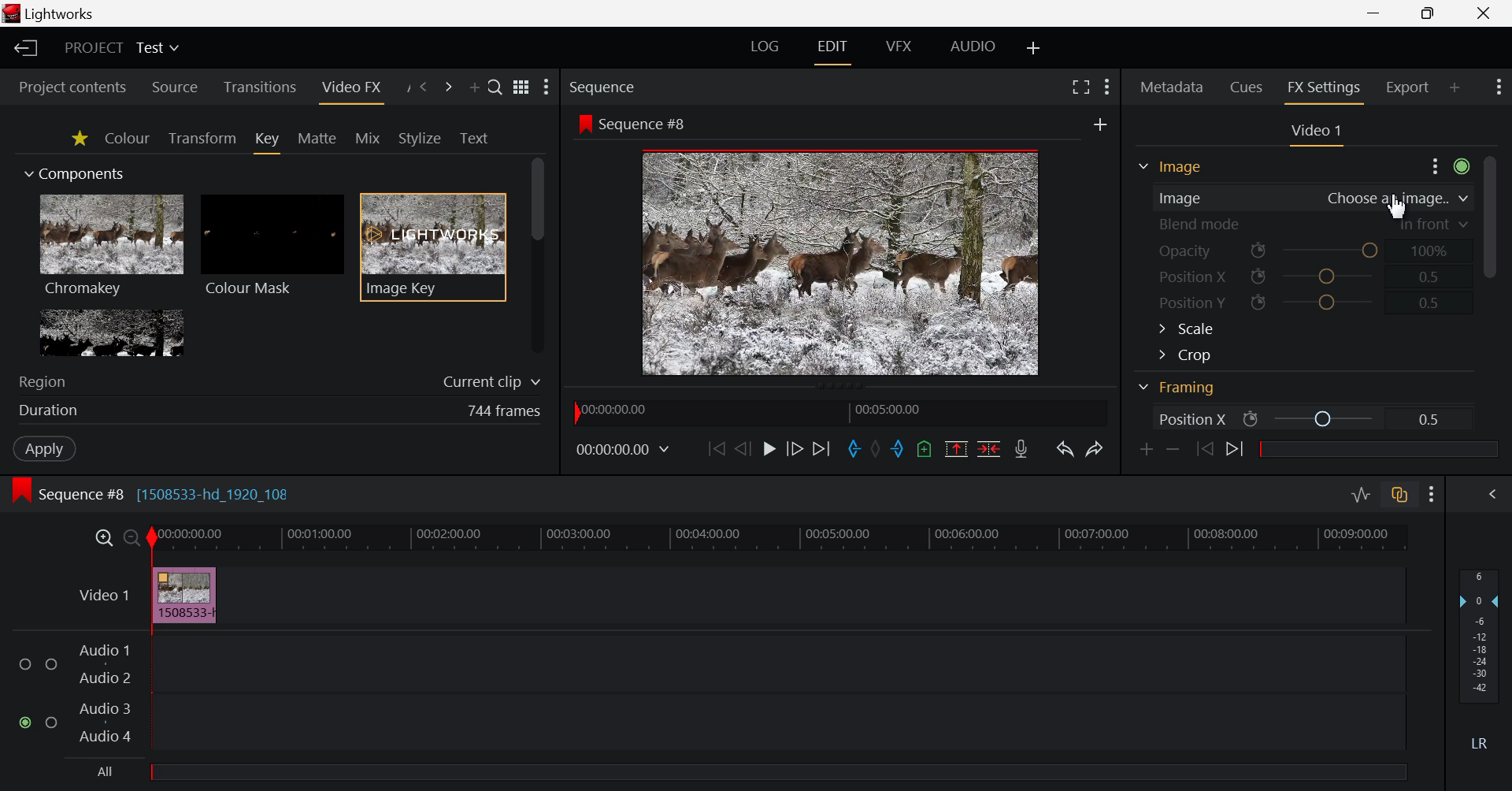 Image resolution: width=1512 pixels, height=791 pixels. Describe the element at coordinates (1450, 165) in the screenshot. I see `Show Settings` at that location.